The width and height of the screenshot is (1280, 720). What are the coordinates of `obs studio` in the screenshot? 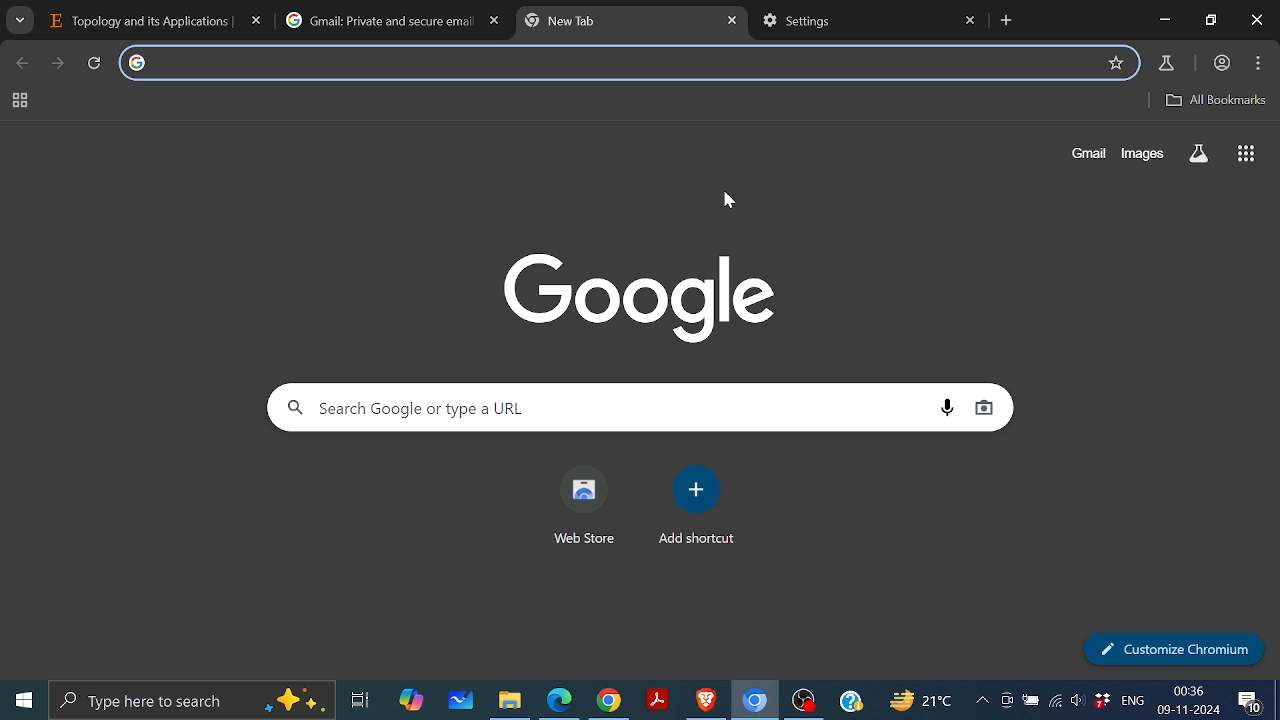 It's located at (805, 701).